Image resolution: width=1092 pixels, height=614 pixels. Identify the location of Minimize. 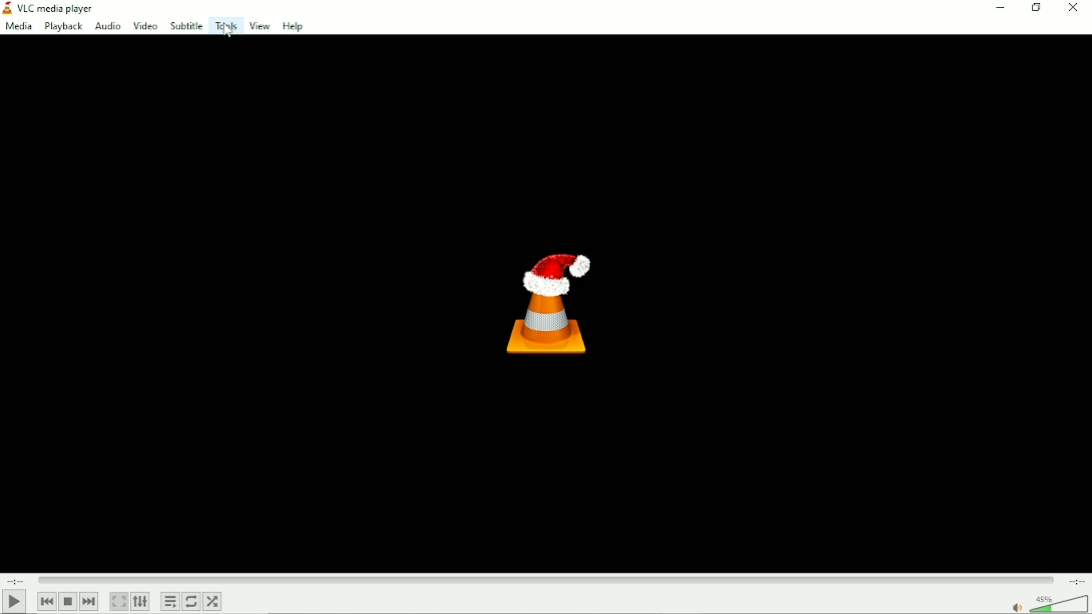
(1000, 7).